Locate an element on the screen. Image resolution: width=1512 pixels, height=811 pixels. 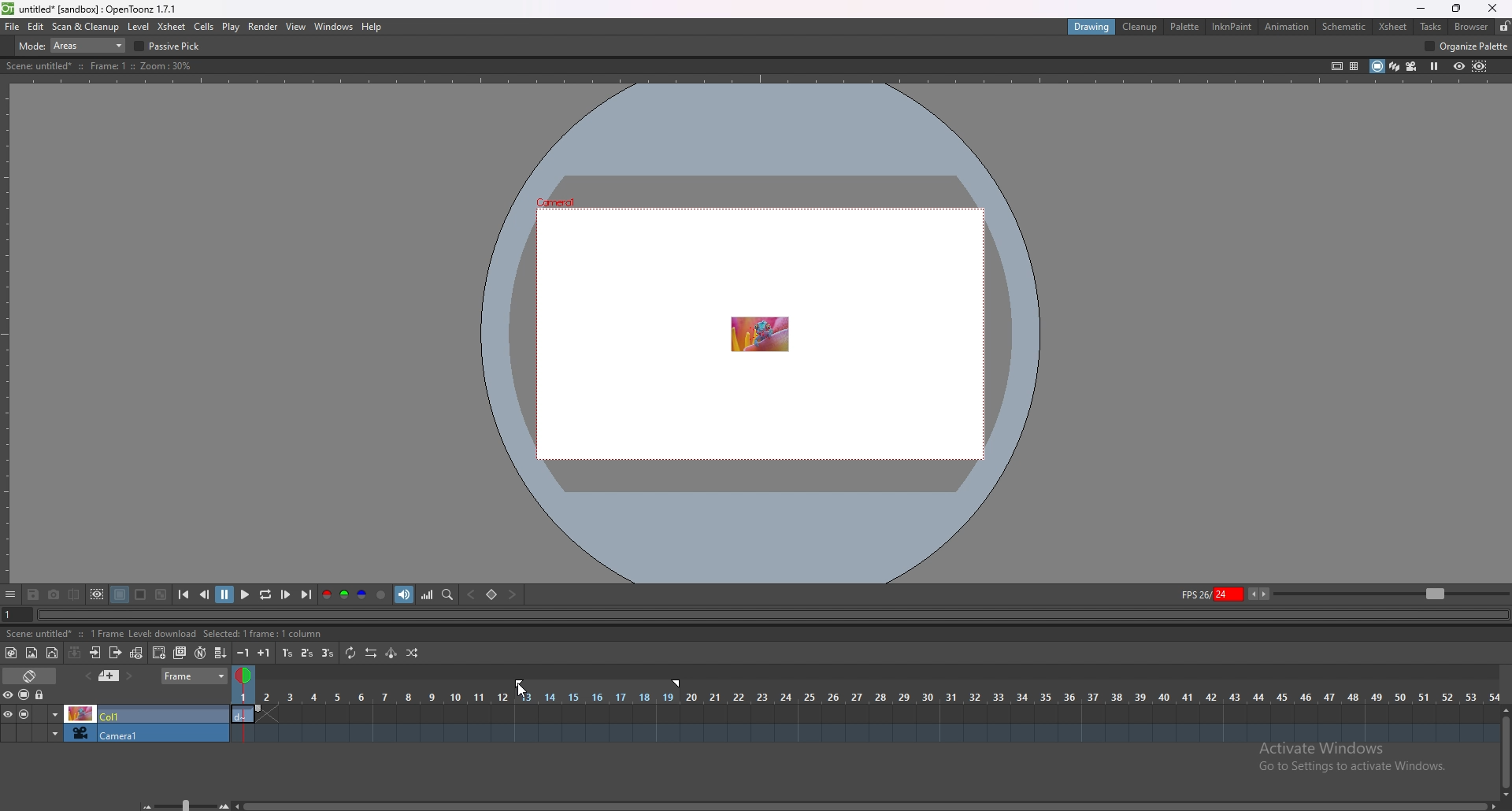
end frame is located at coordinates (680, 683).